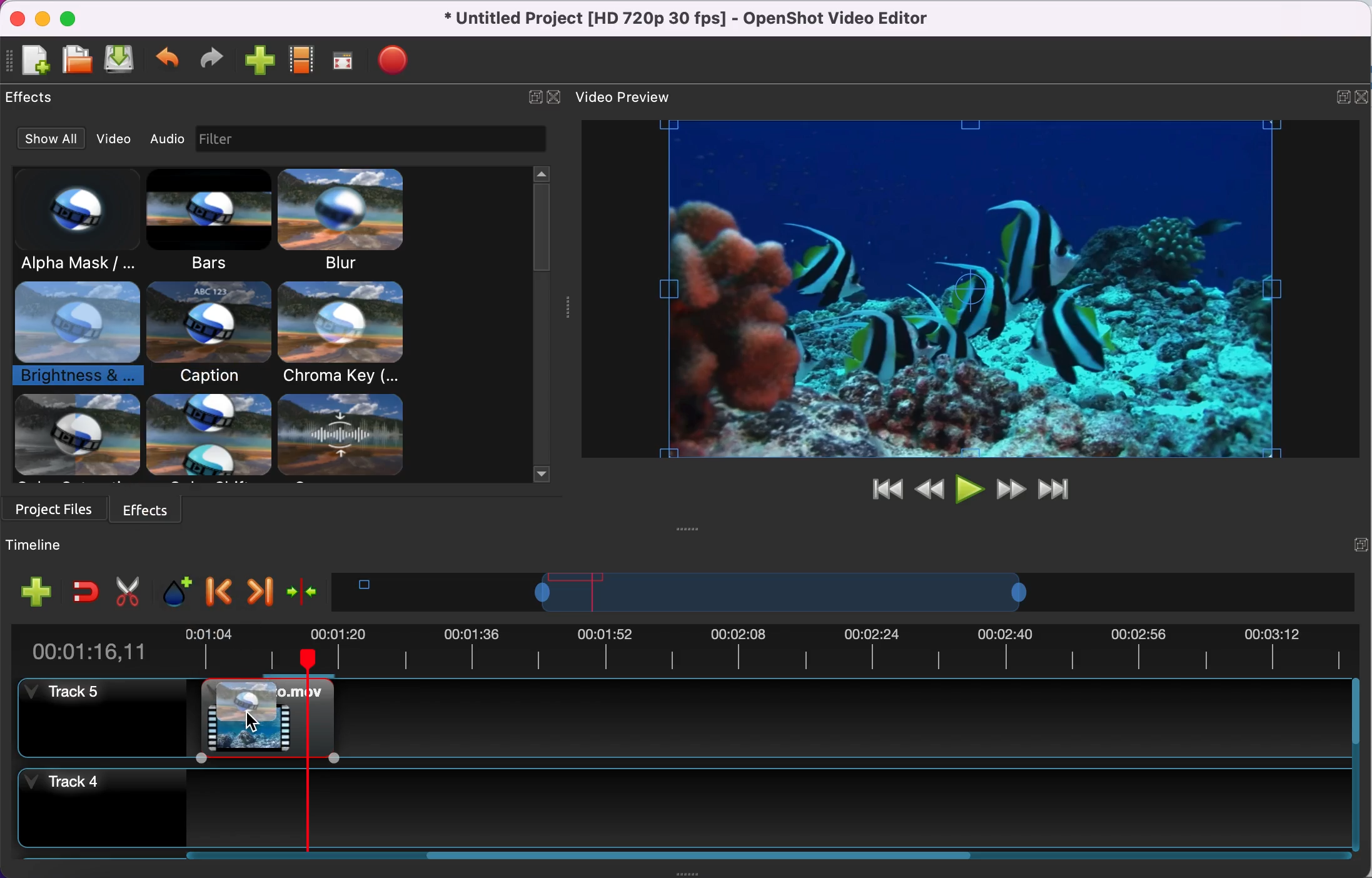 The height and width of the screenshot is (878, 1372). Describe the element at coordinates (53, 508) in the screenshot. I see `project files` at that location.